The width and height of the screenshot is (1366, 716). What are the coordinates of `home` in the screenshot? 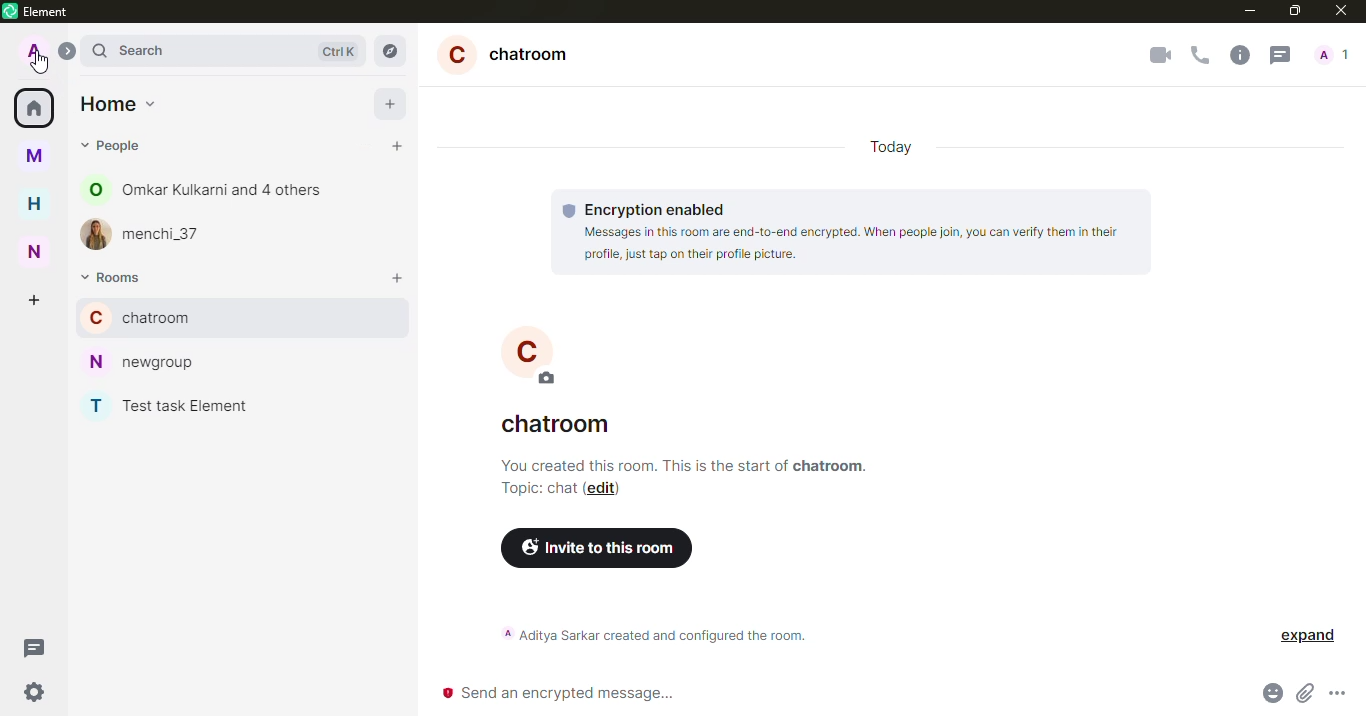 It's located at (31, 109).